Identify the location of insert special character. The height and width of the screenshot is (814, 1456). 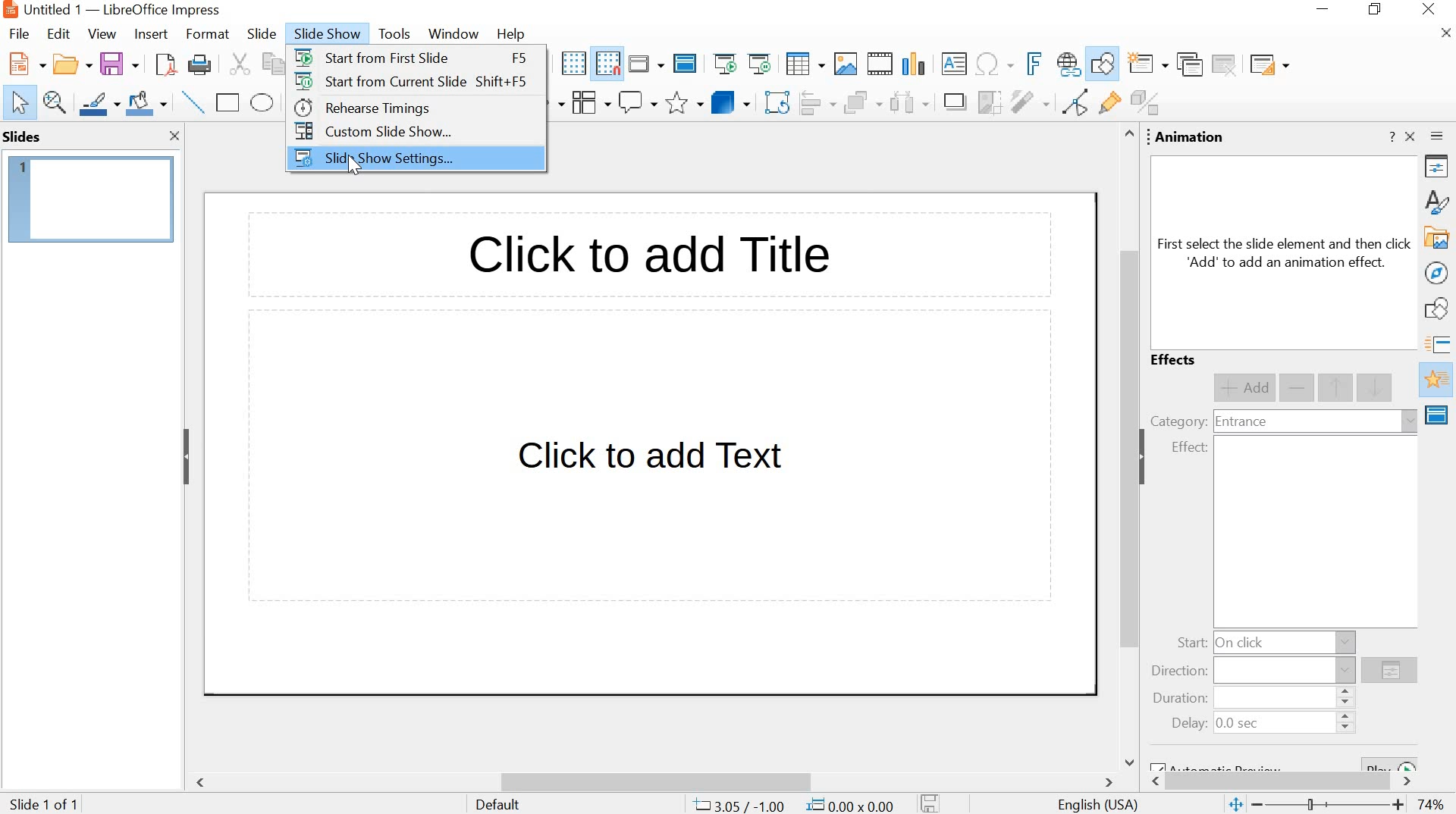
(993, 64).